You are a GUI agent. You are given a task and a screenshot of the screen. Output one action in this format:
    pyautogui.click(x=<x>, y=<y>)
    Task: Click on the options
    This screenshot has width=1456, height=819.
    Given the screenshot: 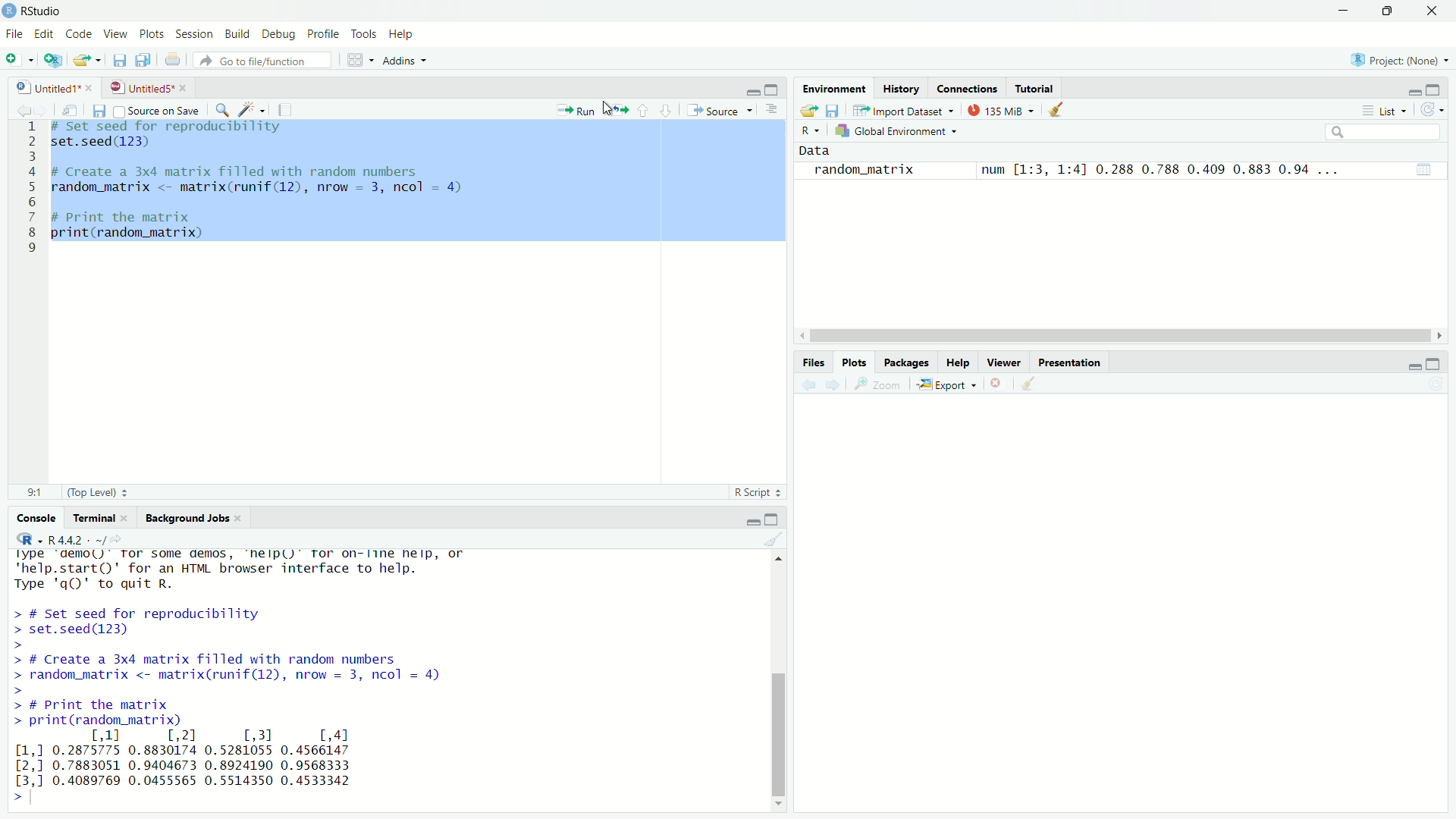 What is the action you would take?
    pyautogui.click(x=771, y=111)
    